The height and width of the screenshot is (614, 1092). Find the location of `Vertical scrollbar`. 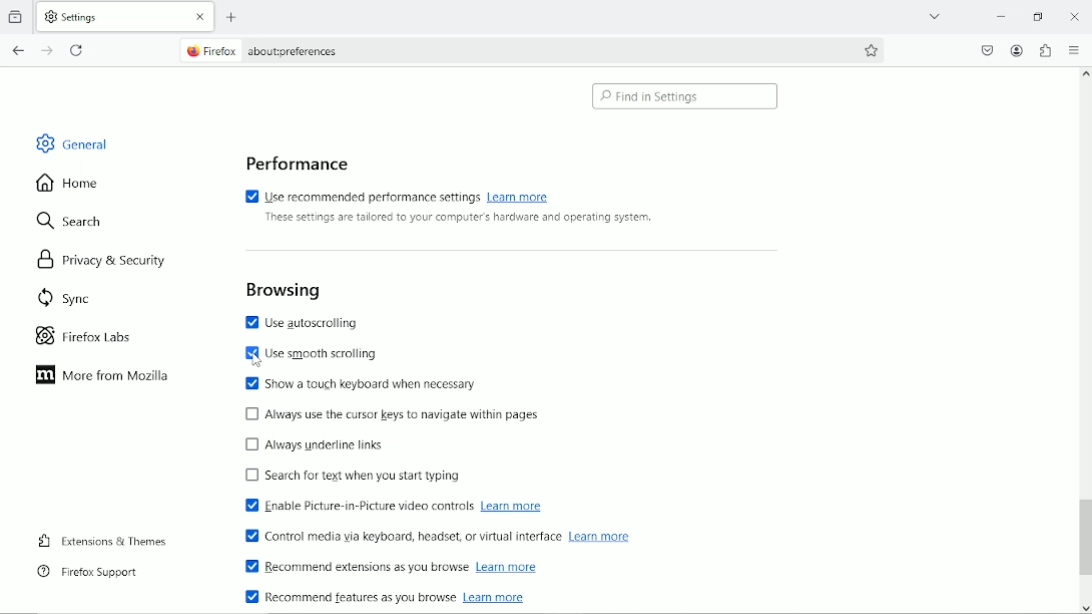

Vertical scrollbar is located at coordinates (1083, 537).